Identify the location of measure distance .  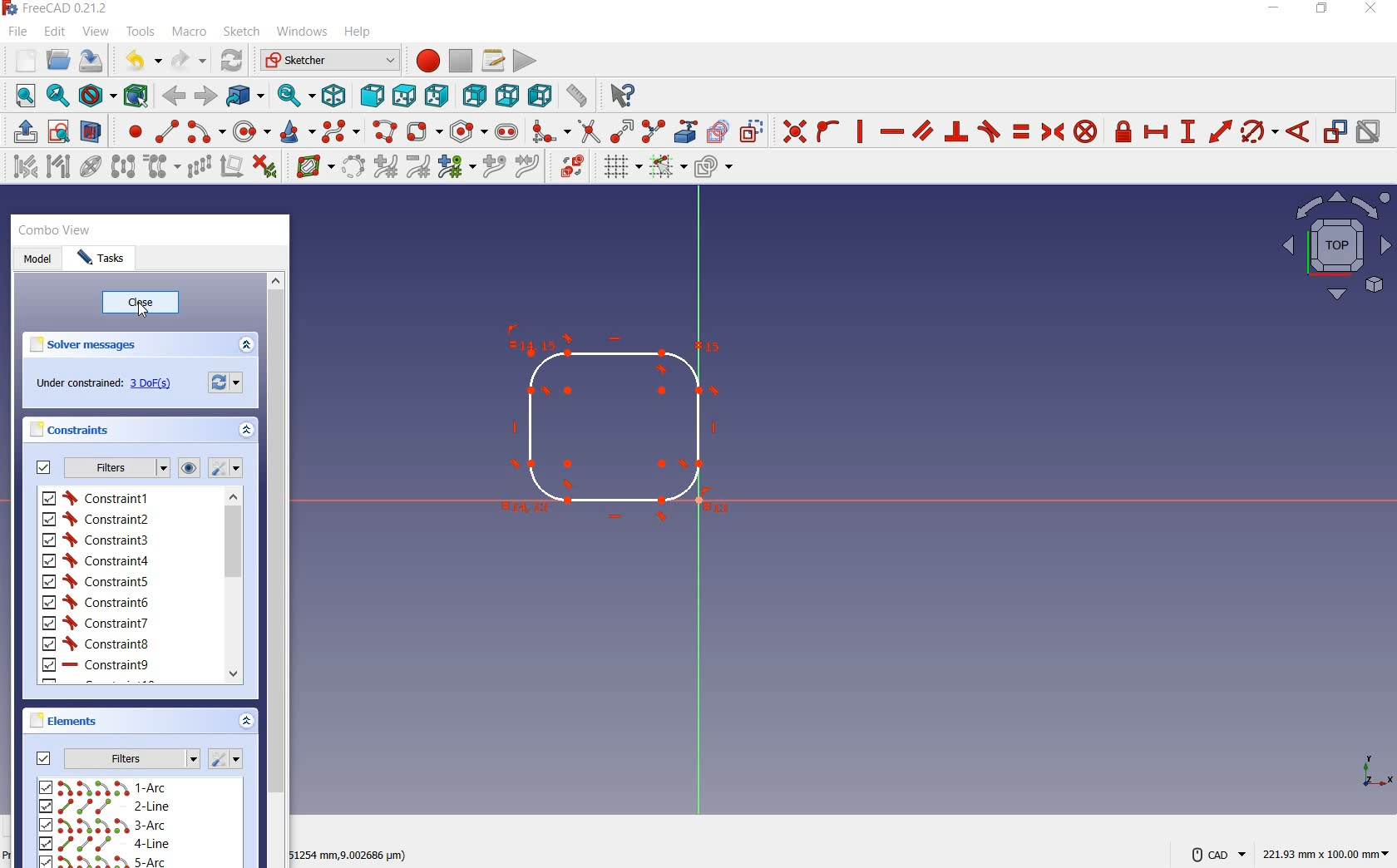
(579, 95).